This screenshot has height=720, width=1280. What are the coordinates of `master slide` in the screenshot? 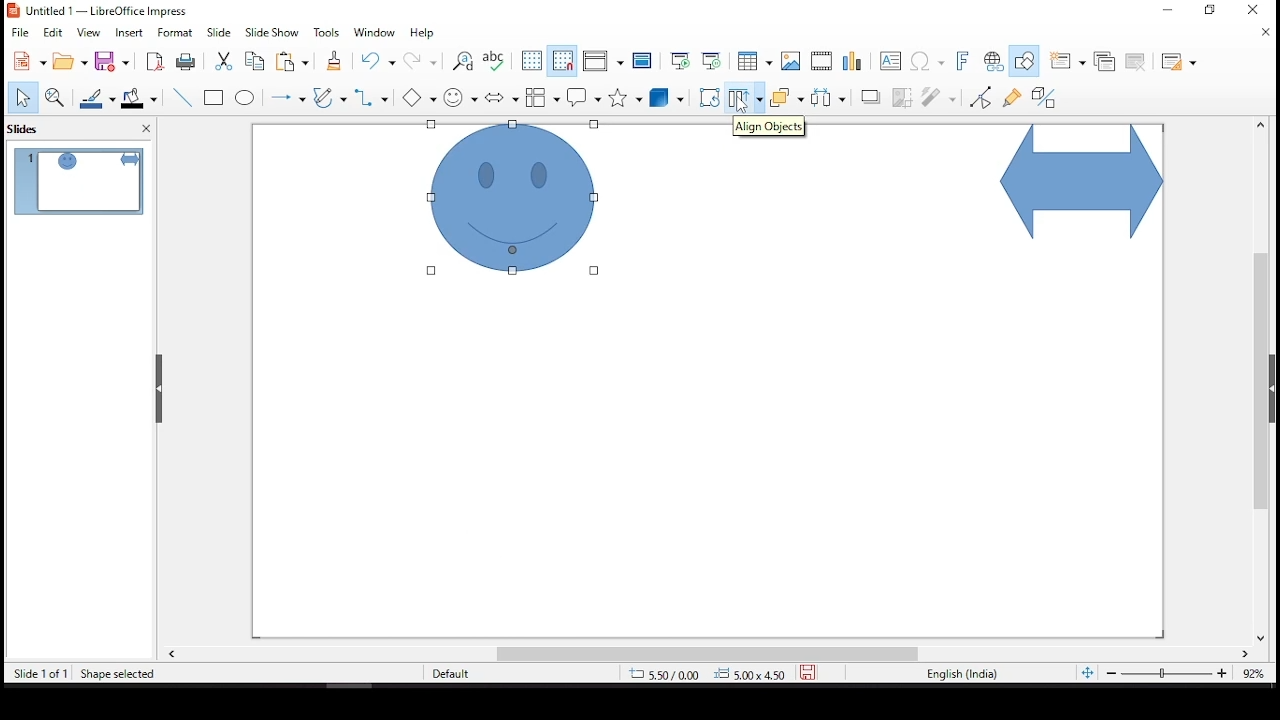 It's located at (643, 61).